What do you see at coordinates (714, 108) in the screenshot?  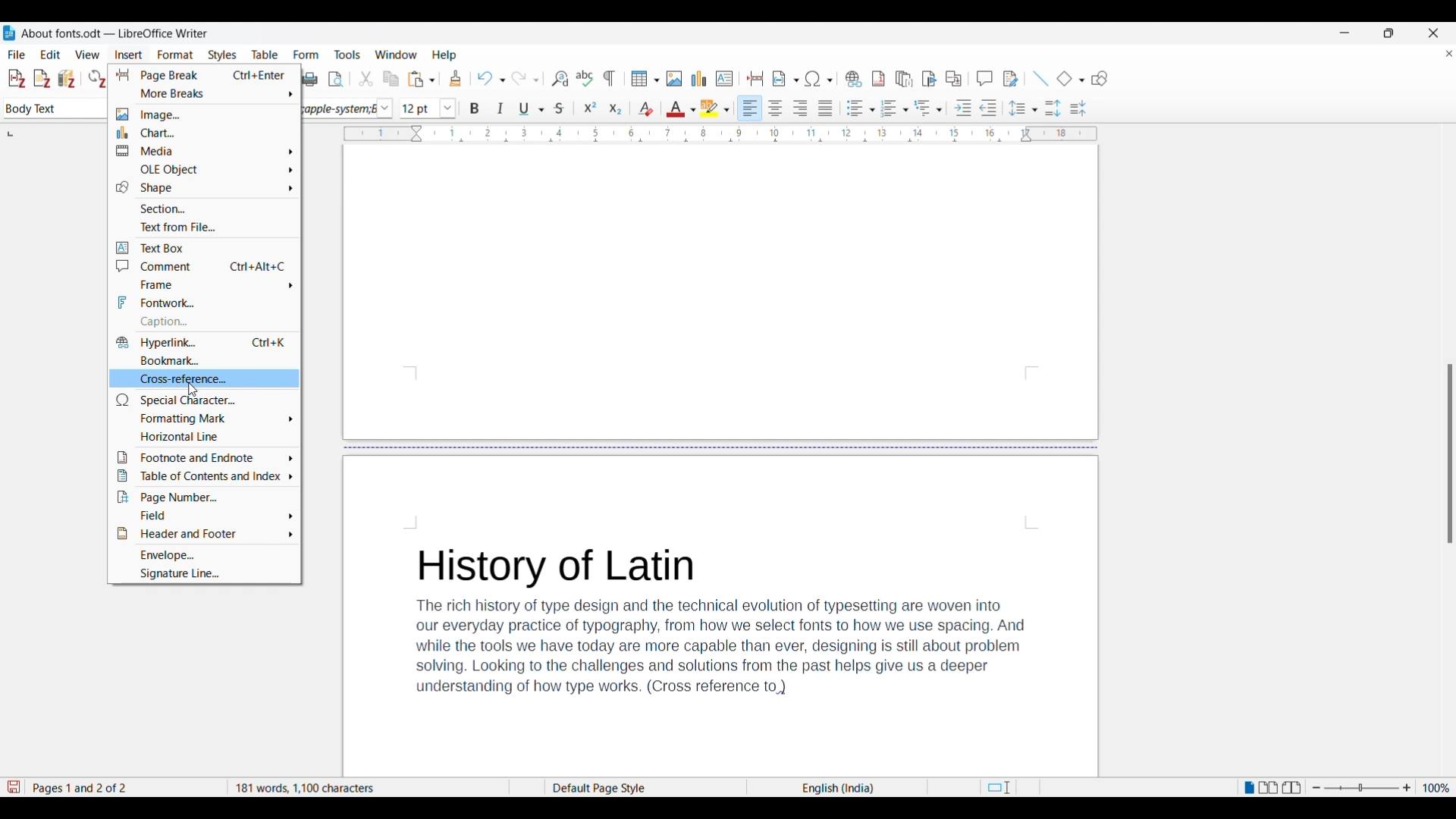 I see `Highlight color options` at bounding box center [714, 108].